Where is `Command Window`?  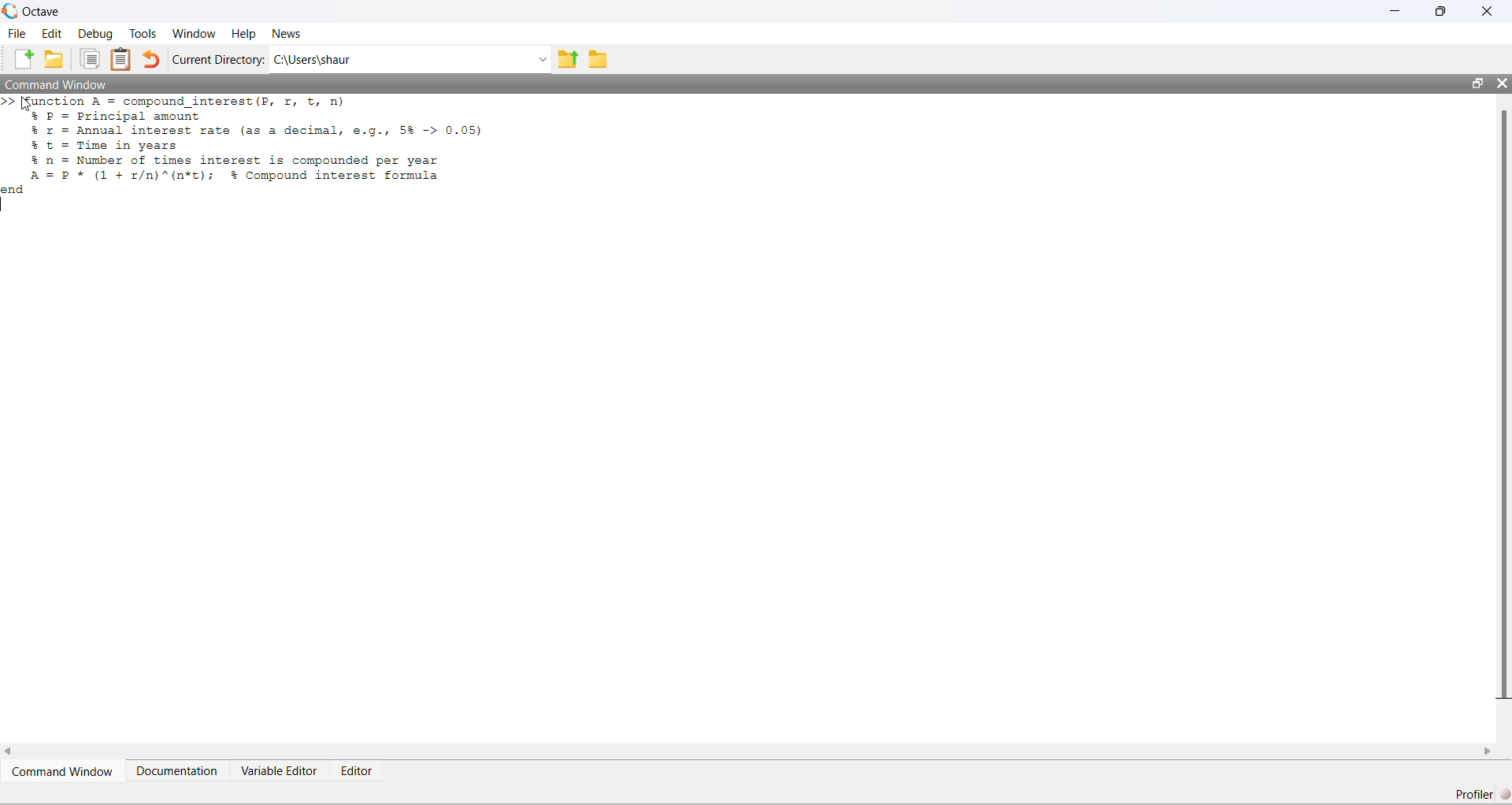 Command Window is located at coordinates (64, 771).